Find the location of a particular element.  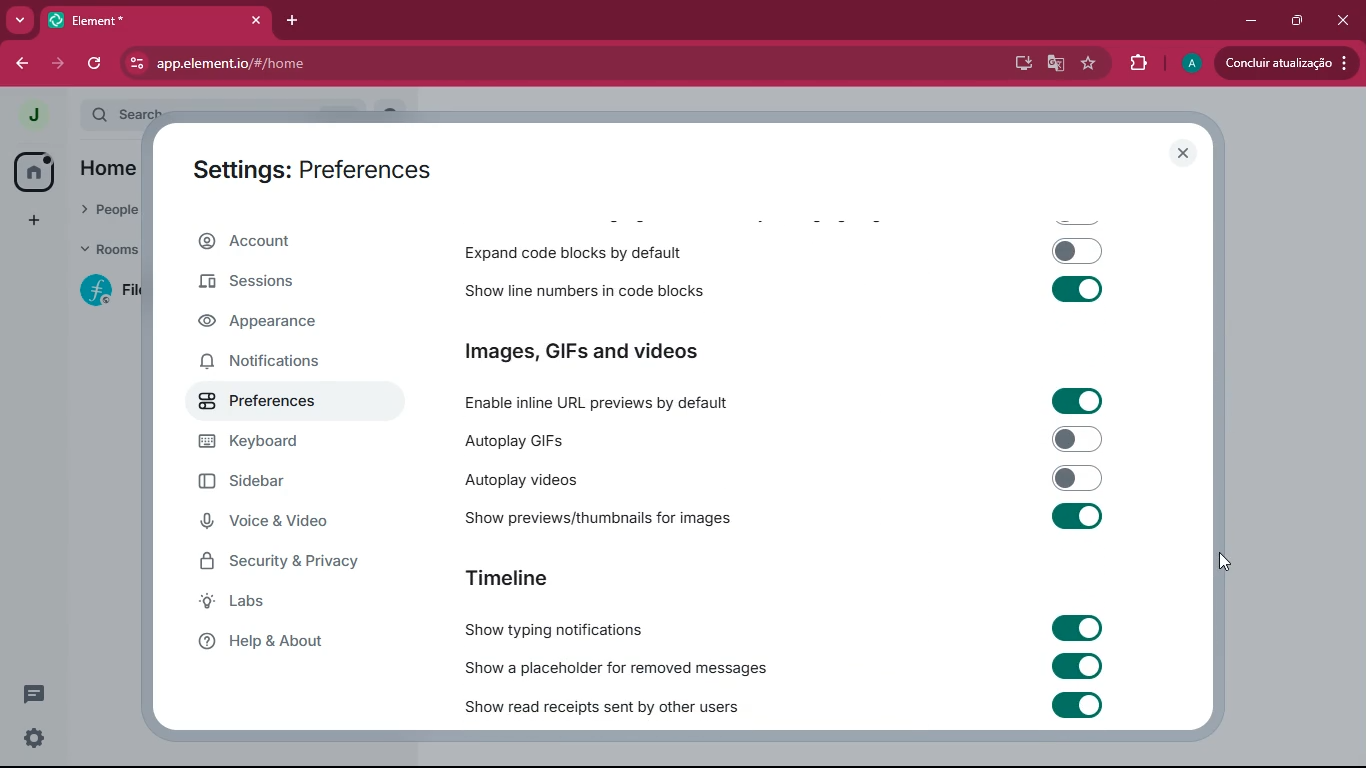

toggle on/off is located at coordinates (1076, 705).